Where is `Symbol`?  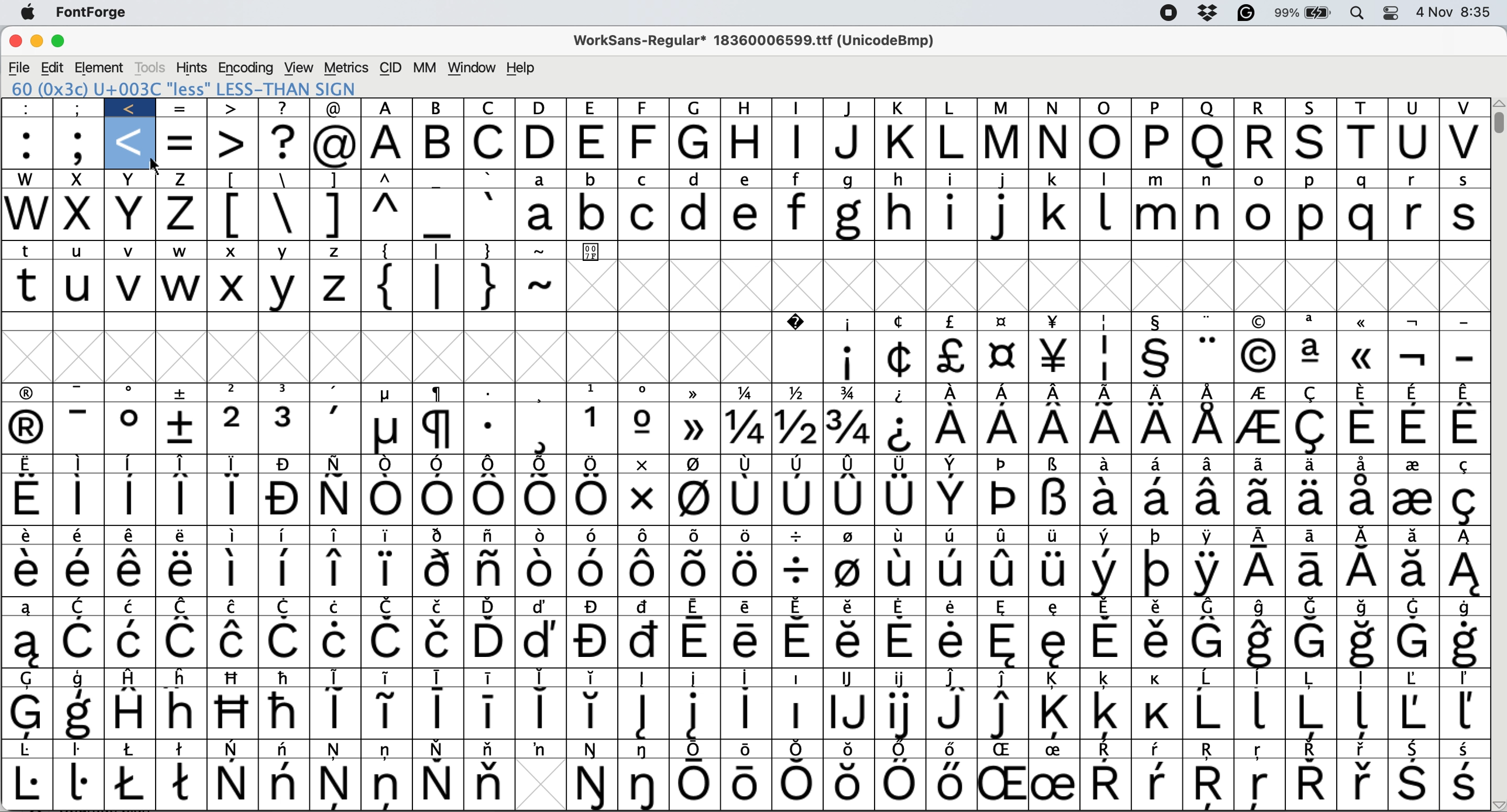 Symbol is located at coordinates (129, 711).